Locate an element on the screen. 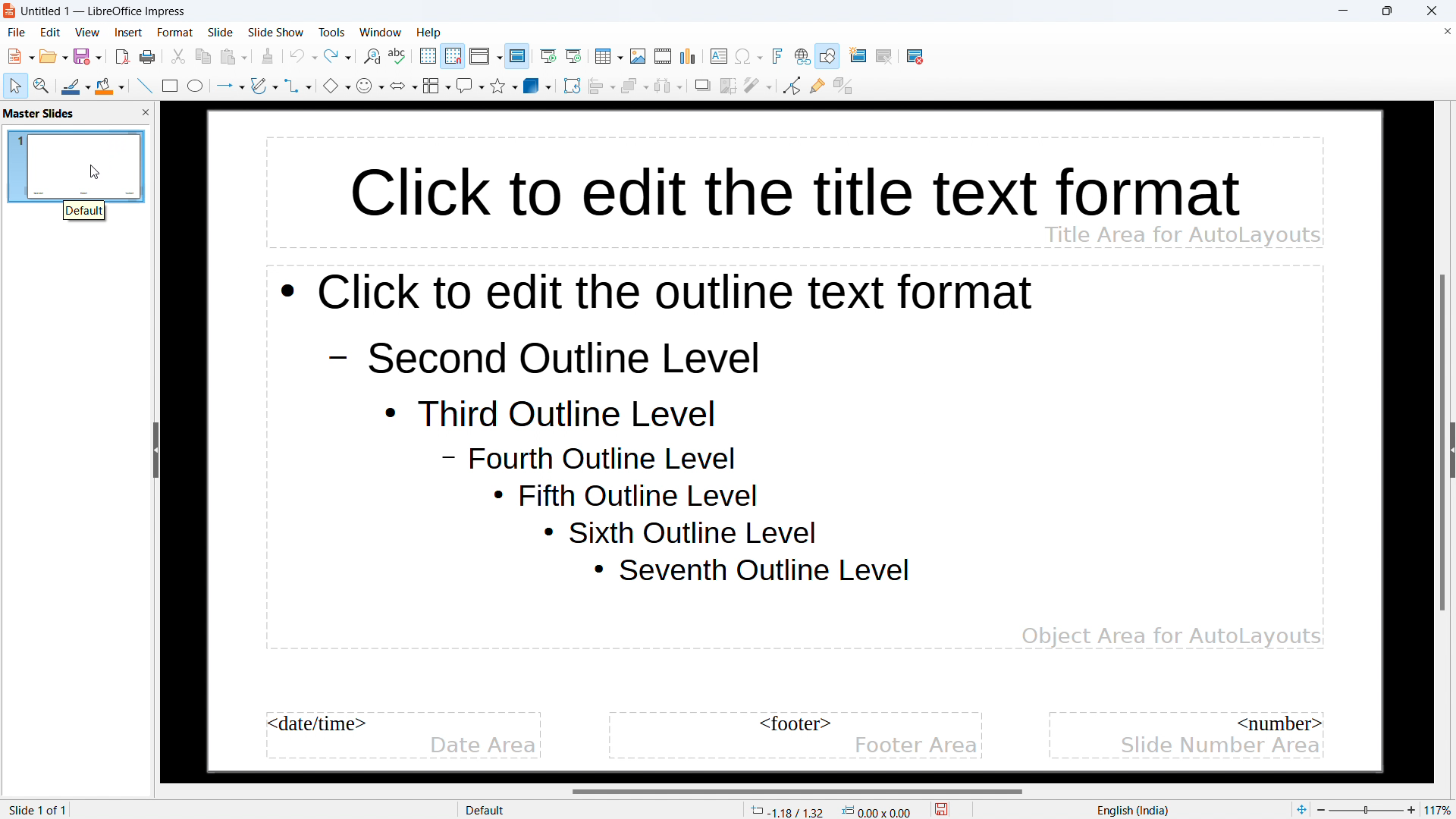 This screenshot has height=819, width=1456. Second outline level is located at coordinates (552, 357).